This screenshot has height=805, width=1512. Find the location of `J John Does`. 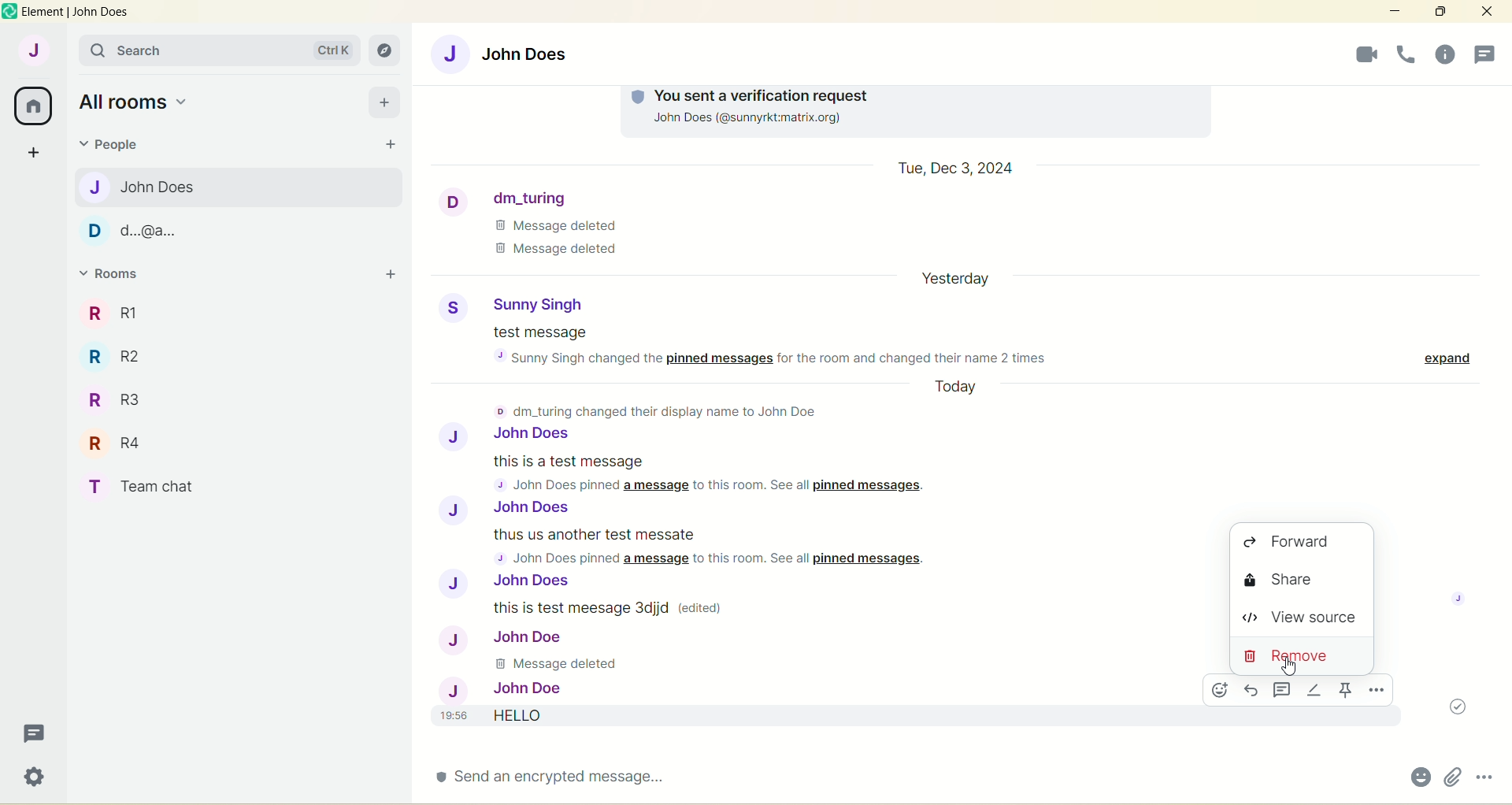

J John Does is located at coordinates (515, 510).